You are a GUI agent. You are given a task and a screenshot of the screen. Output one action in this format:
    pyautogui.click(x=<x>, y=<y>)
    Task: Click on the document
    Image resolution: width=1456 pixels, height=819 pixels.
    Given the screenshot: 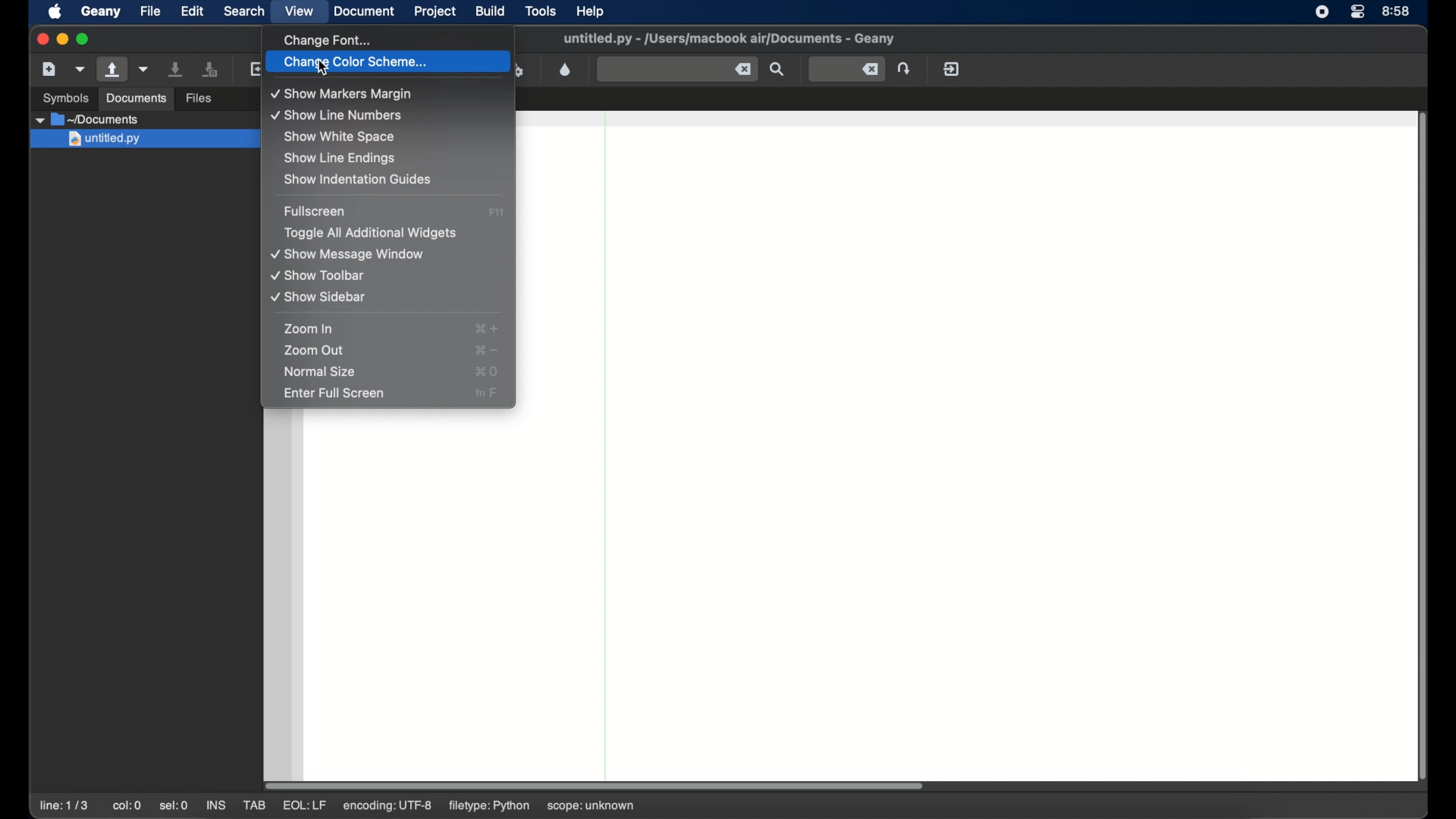 What is the action you would take?
    pyautogui.click(x=365, y=11)
    